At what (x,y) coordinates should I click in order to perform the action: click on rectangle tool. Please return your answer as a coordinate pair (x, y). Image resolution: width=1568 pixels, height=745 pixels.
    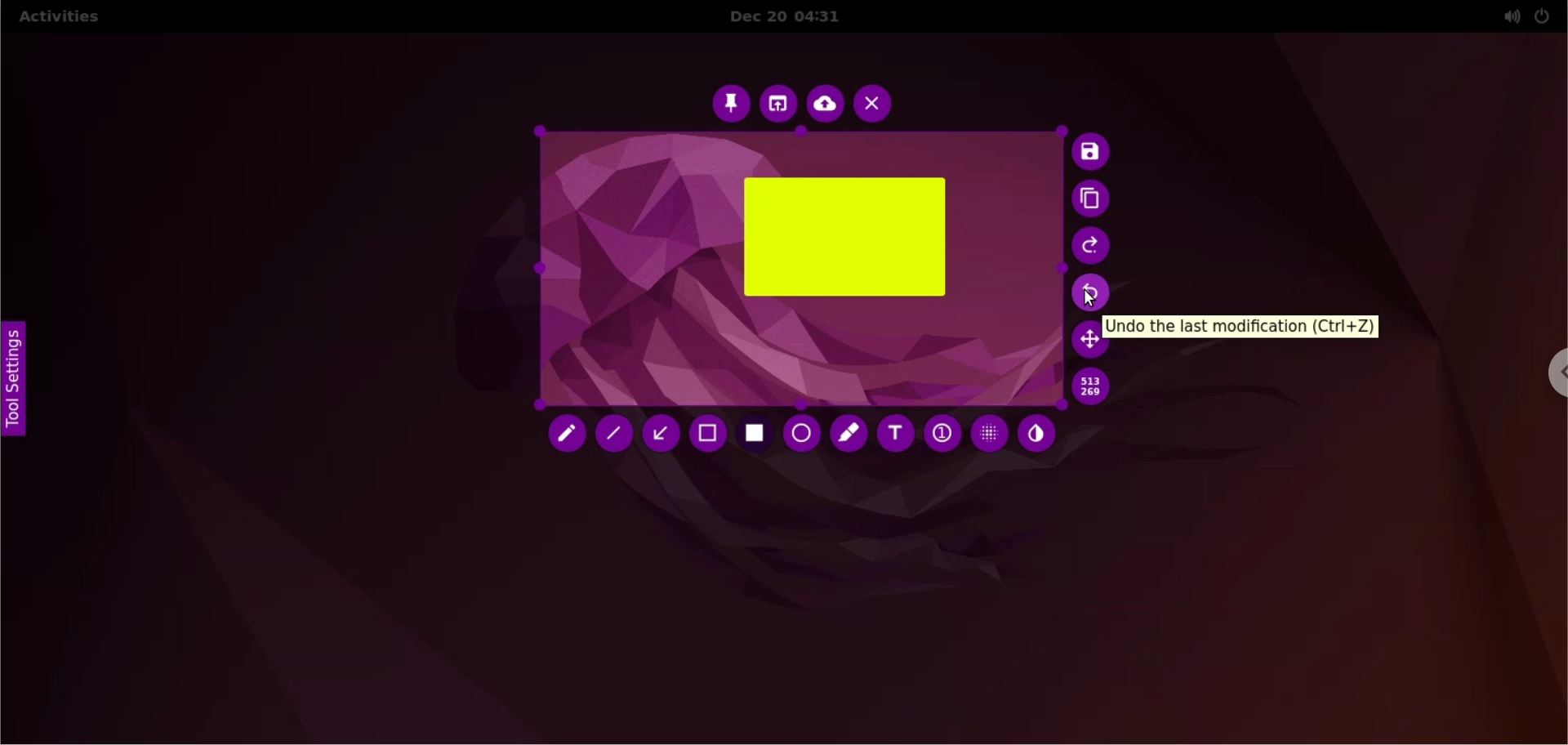
    Looking at the image, I should click on (756, 435).